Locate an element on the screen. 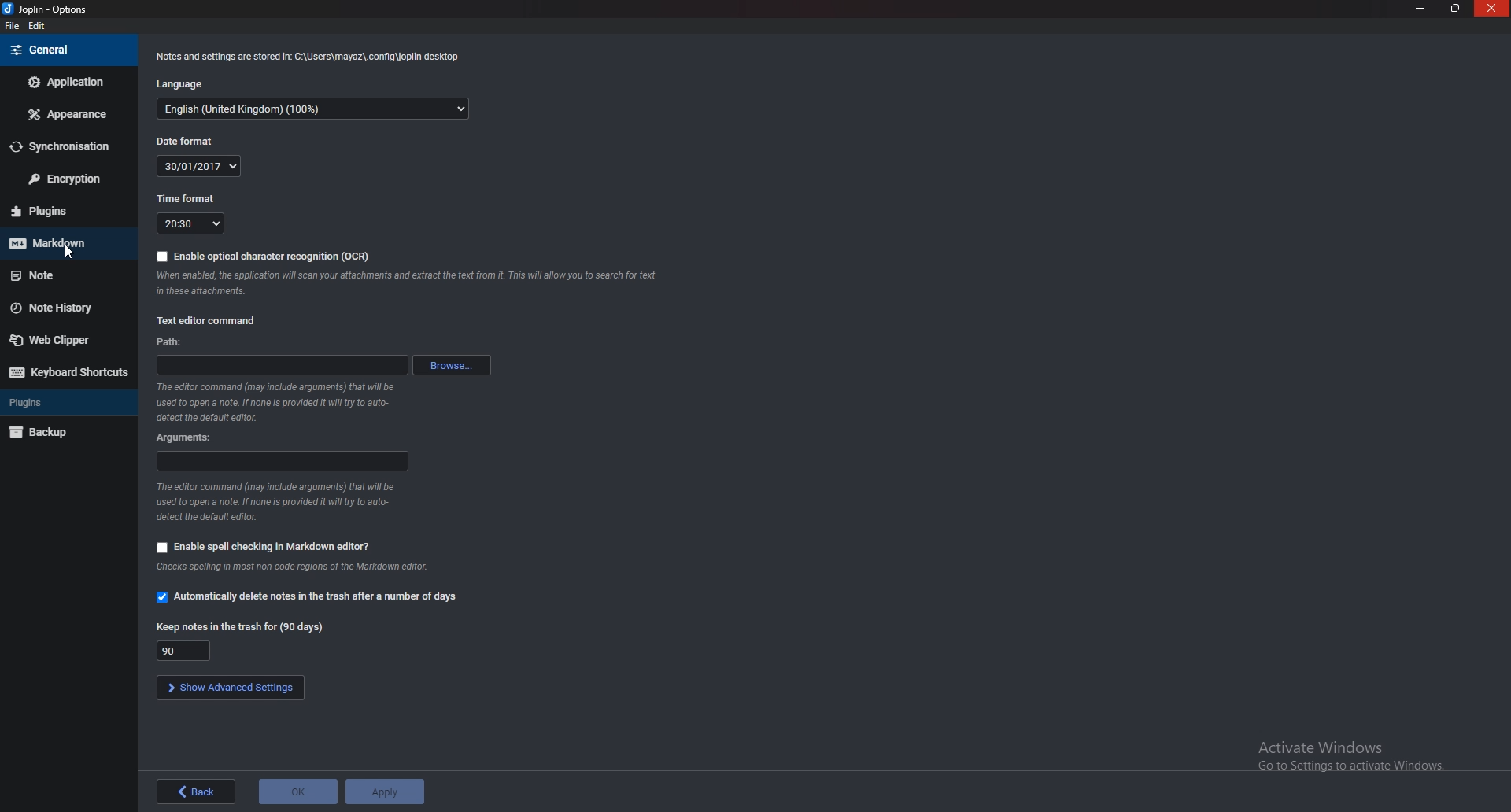  Web clipper is located at coordinates (53, 338).